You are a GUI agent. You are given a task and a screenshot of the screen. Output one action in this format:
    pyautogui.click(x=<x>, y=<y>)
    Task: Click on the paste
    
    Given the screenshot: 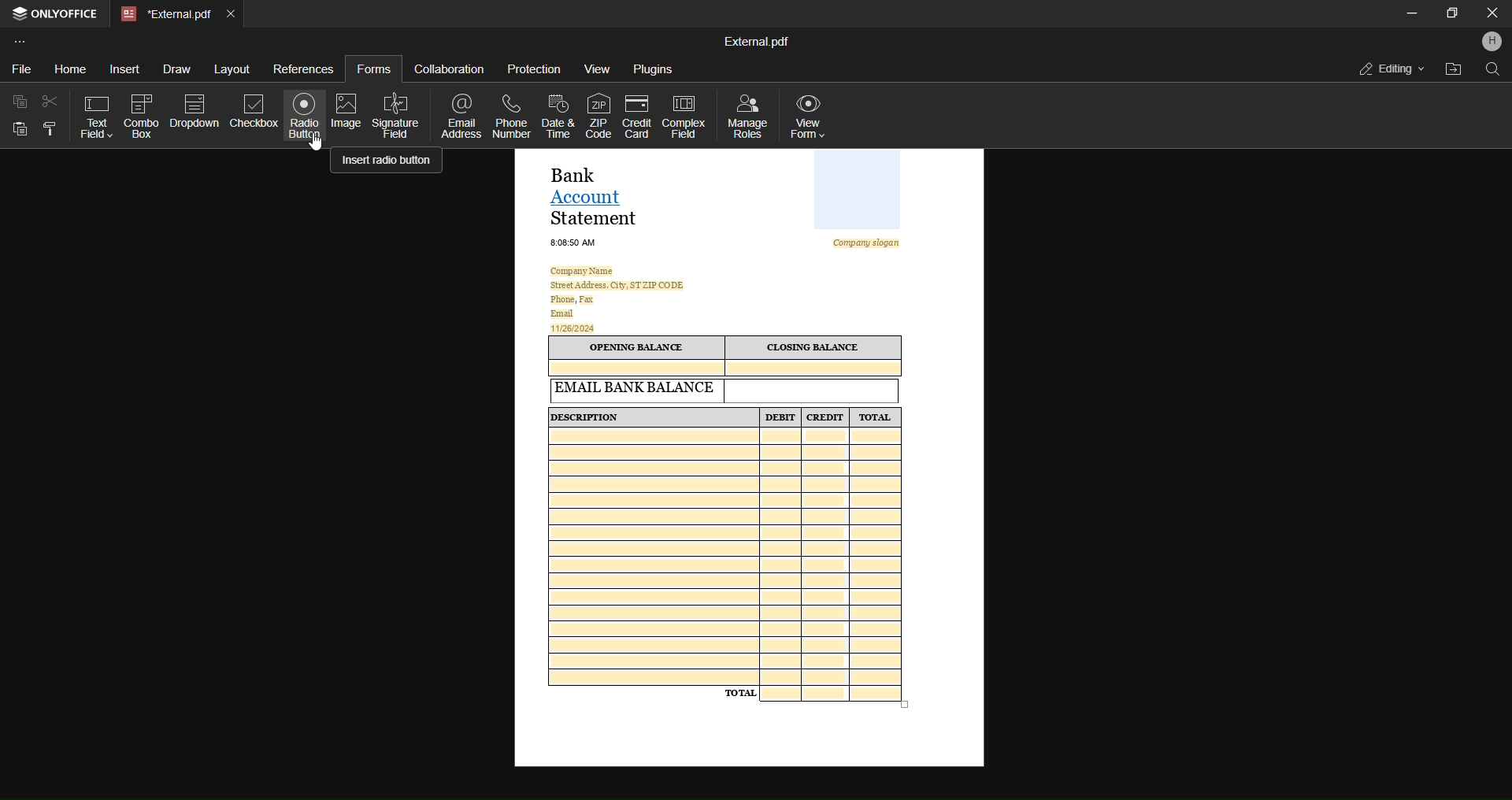 What is the action you would take?
    pyautogui.click(x=24, y=130)
    